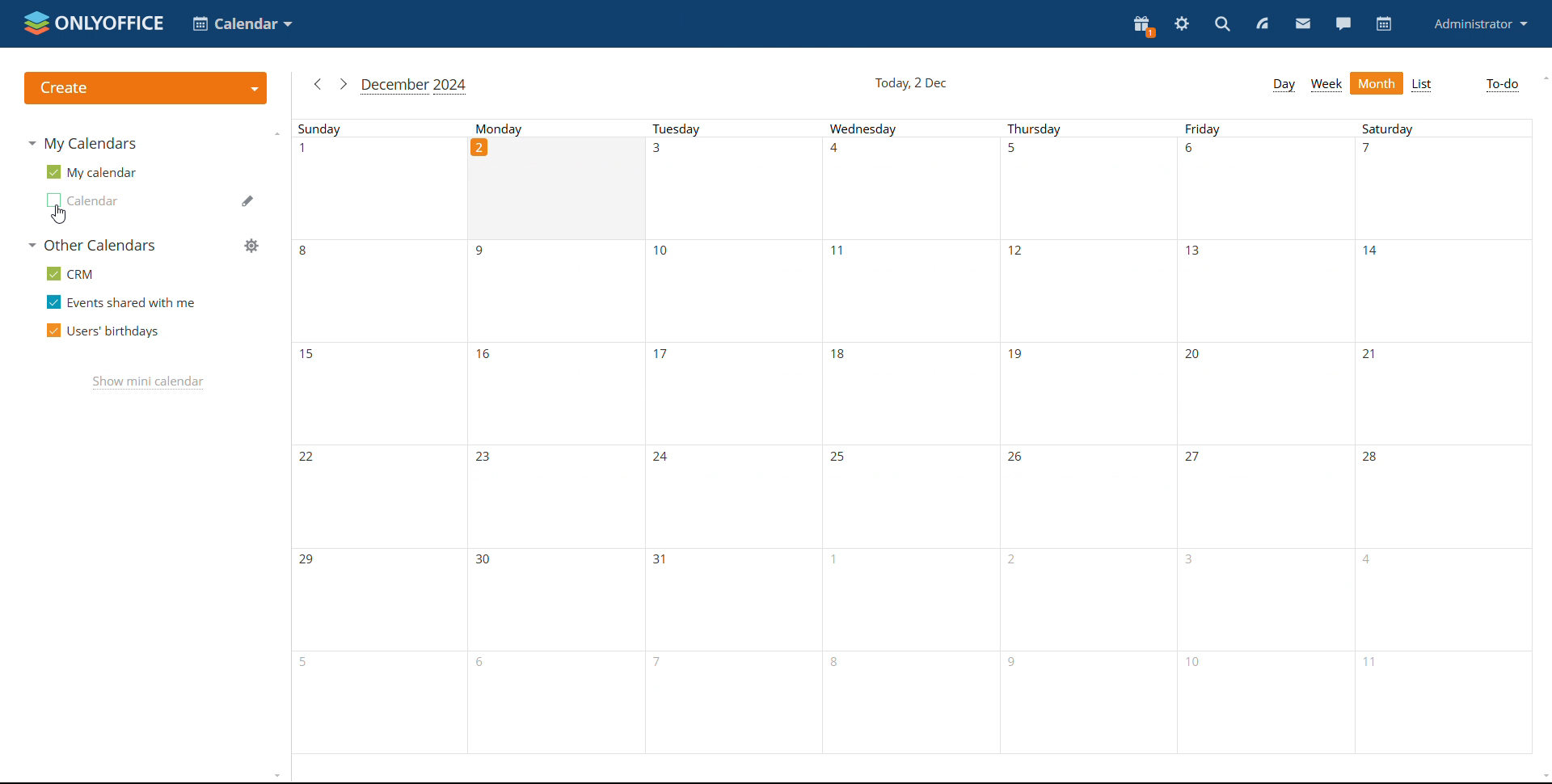  I want to click on 8, so click(376, 289).